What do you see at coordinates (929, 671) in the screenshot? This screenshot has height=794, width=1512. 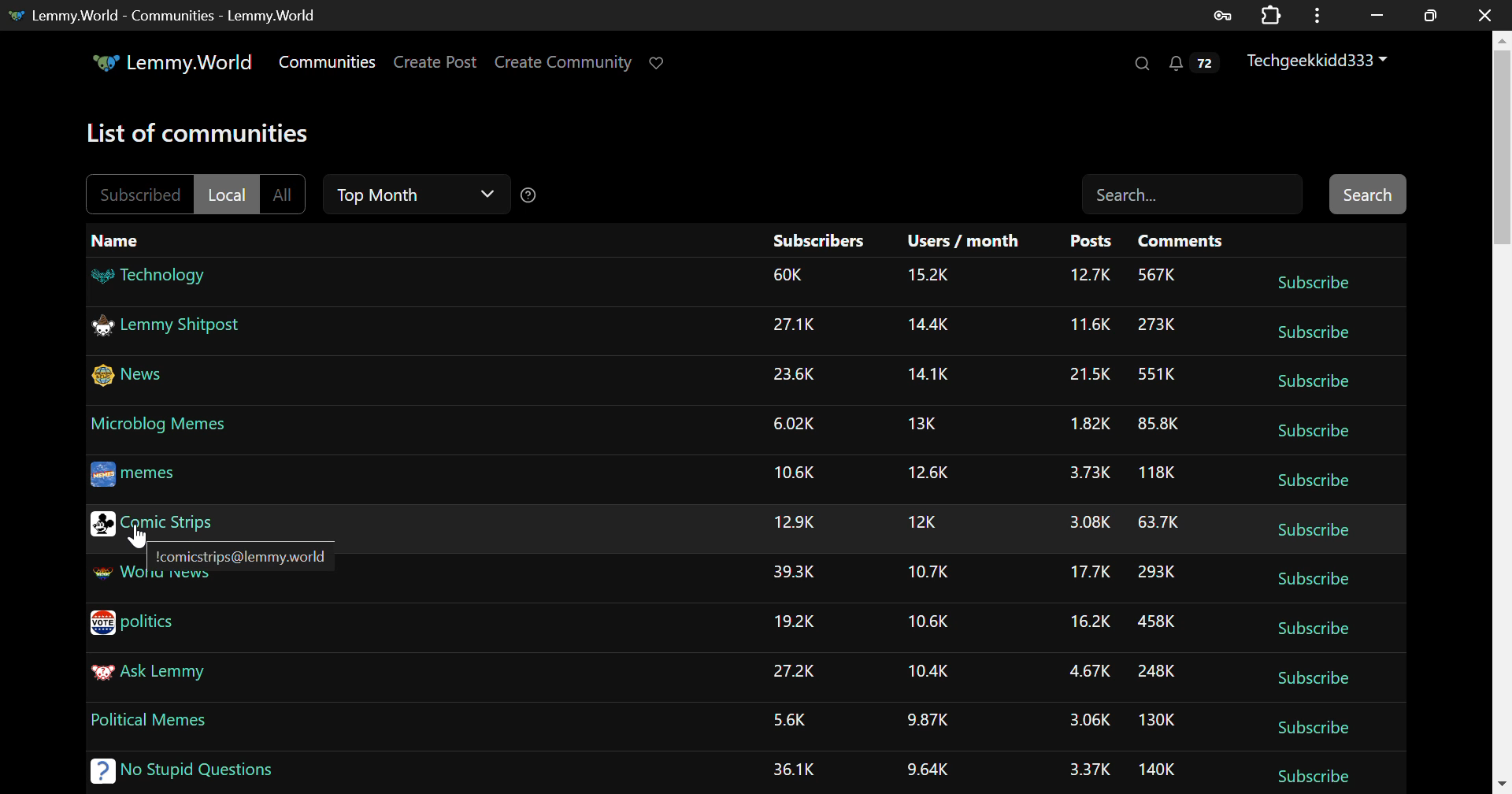 I see `Amount` at bounding box center [929, 671].